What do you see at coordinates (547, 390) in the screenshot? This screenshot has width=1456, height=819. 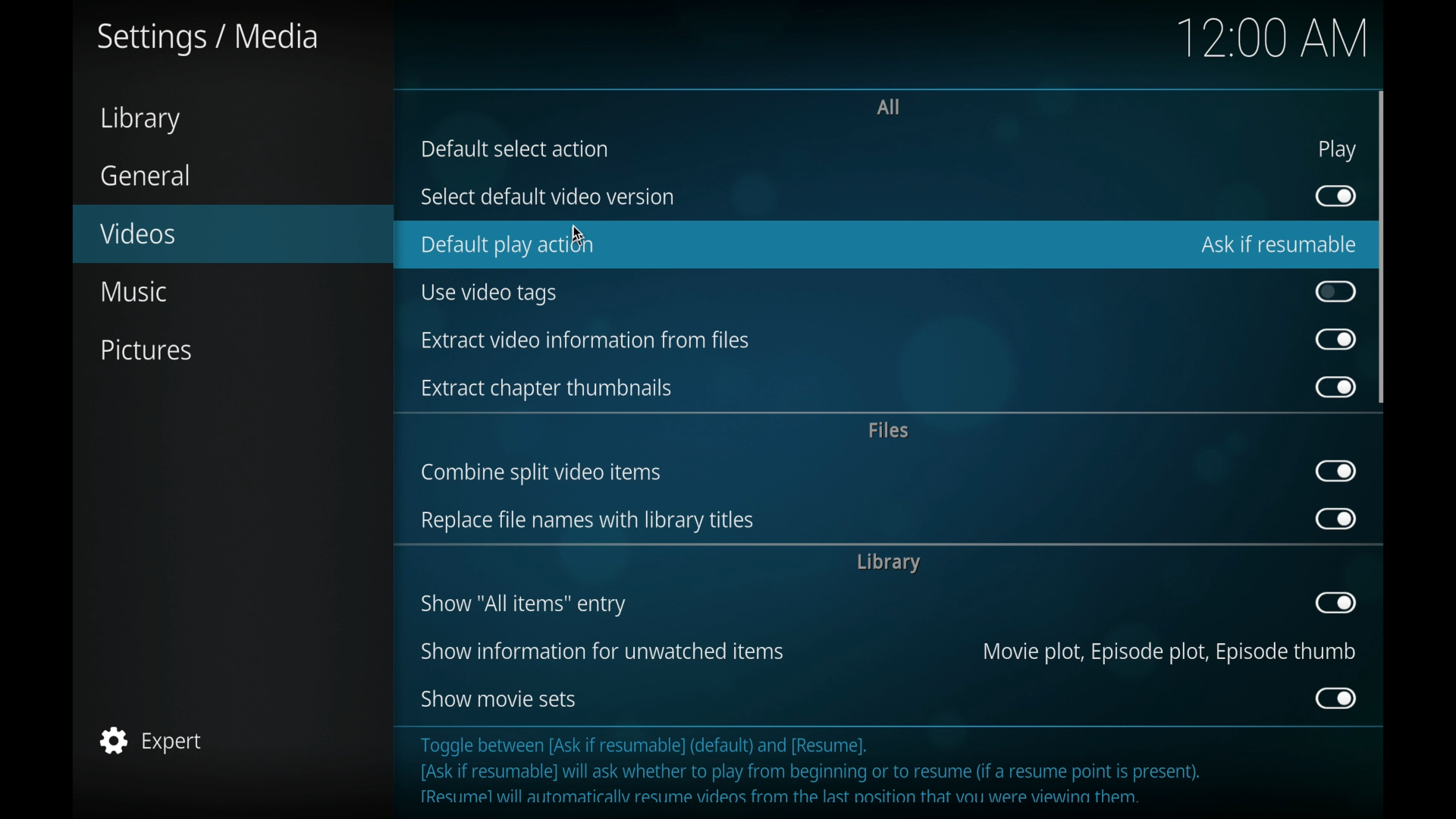 I see `extract chapter thumbnails` at bounding box center [547, 390].